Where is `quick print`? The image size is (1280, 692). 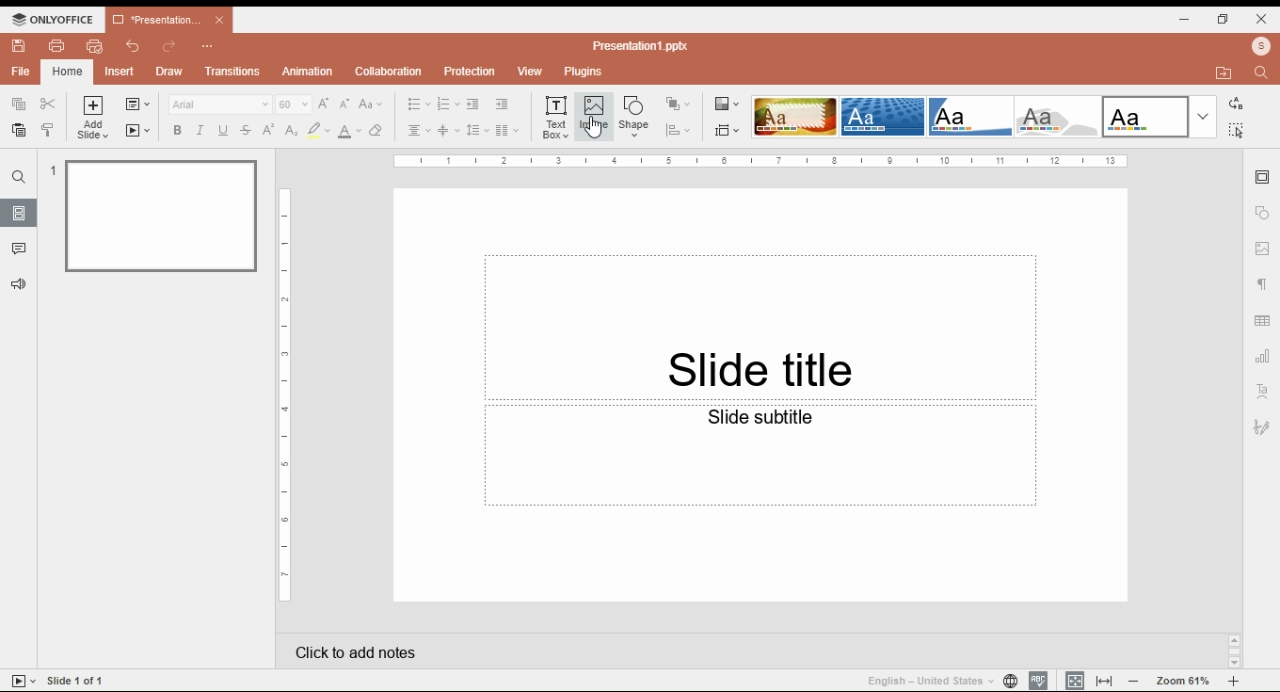 quick print is located at coordinates (94, 45).